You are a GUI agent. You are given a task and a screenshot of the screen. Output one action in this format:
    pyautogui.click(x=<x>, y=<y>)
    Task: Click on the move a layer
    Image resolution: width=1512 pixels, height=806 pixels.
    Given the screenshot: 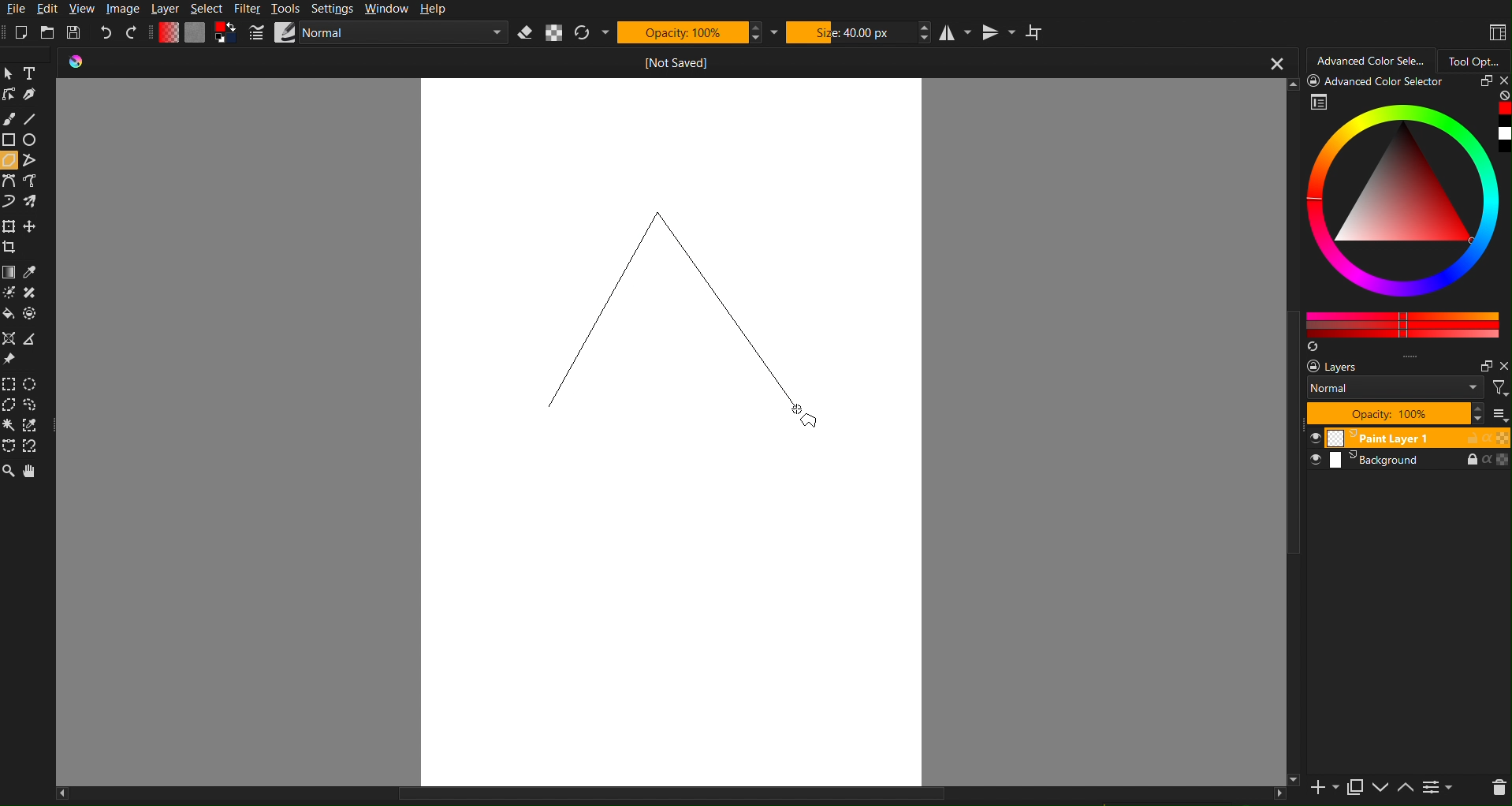 What is the action you would take?
    pyautogui.click(x=33, y=226)
    